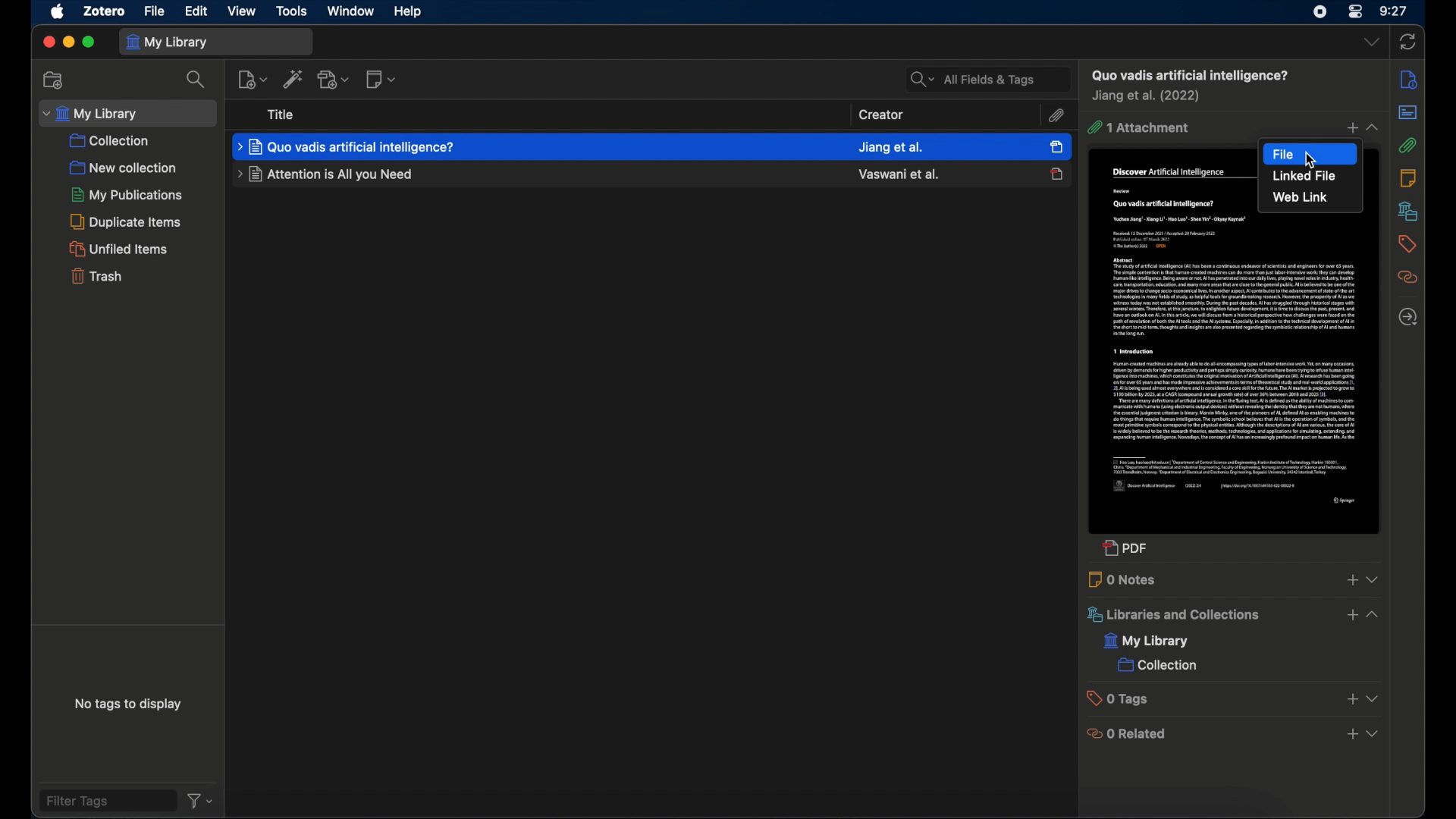 This screenshot has height=819, width=1456. I want to click on search, so click(196, 80).